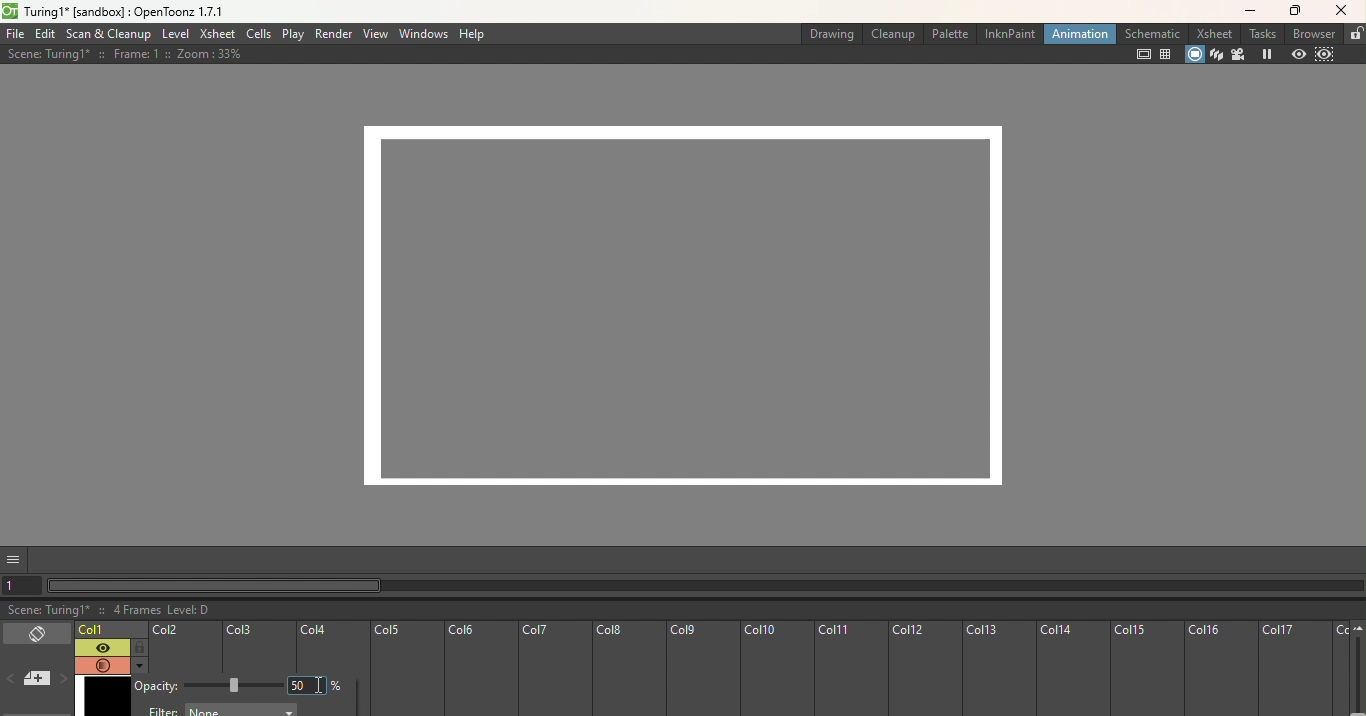 The image size is (1366, 716). What do you see at coordinates (12, 11) in the screenshot?
I see `opentoonz logo` at bounding box center [12, 11].